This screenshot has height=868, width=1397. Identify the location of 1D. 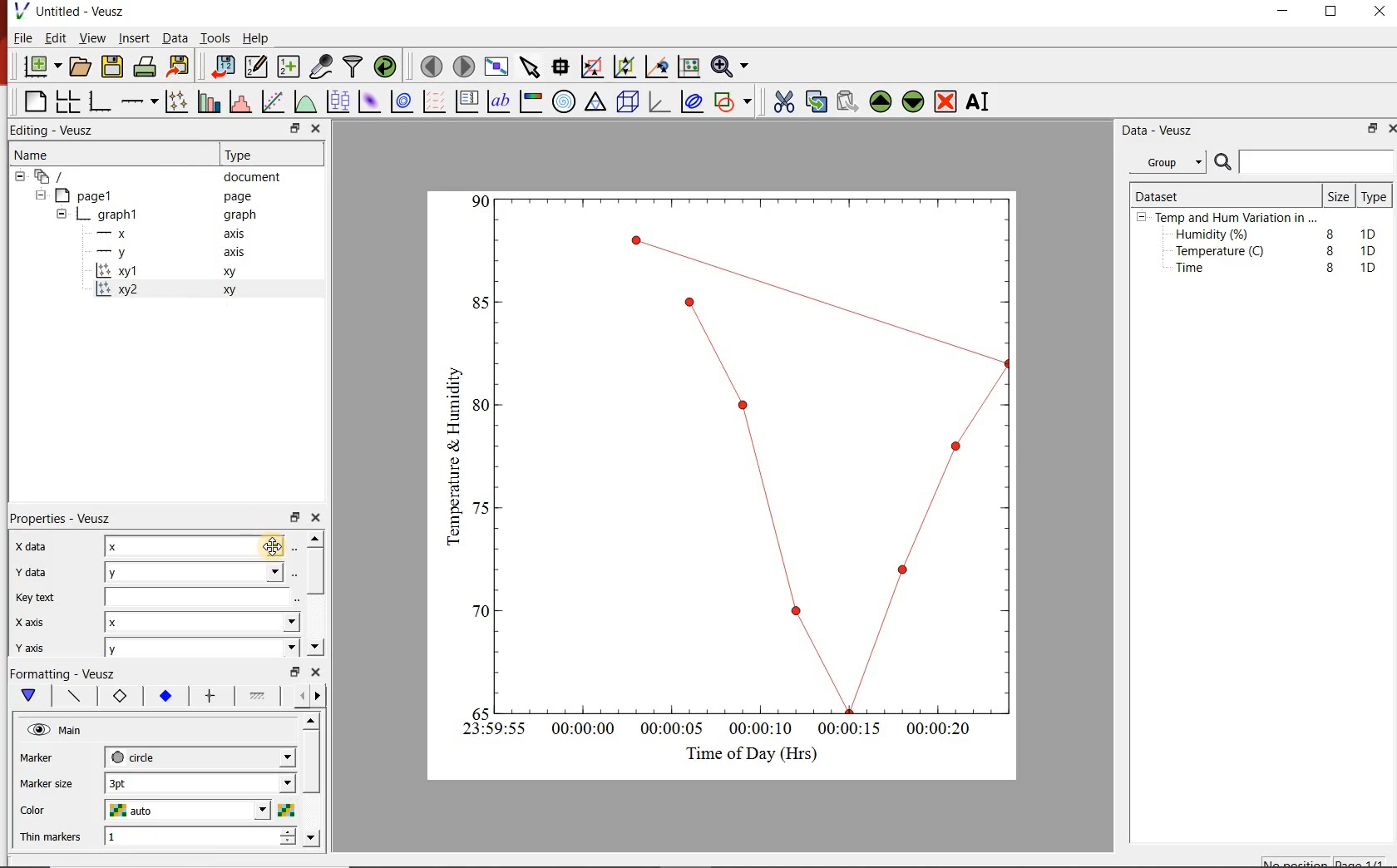
(1373, 250).